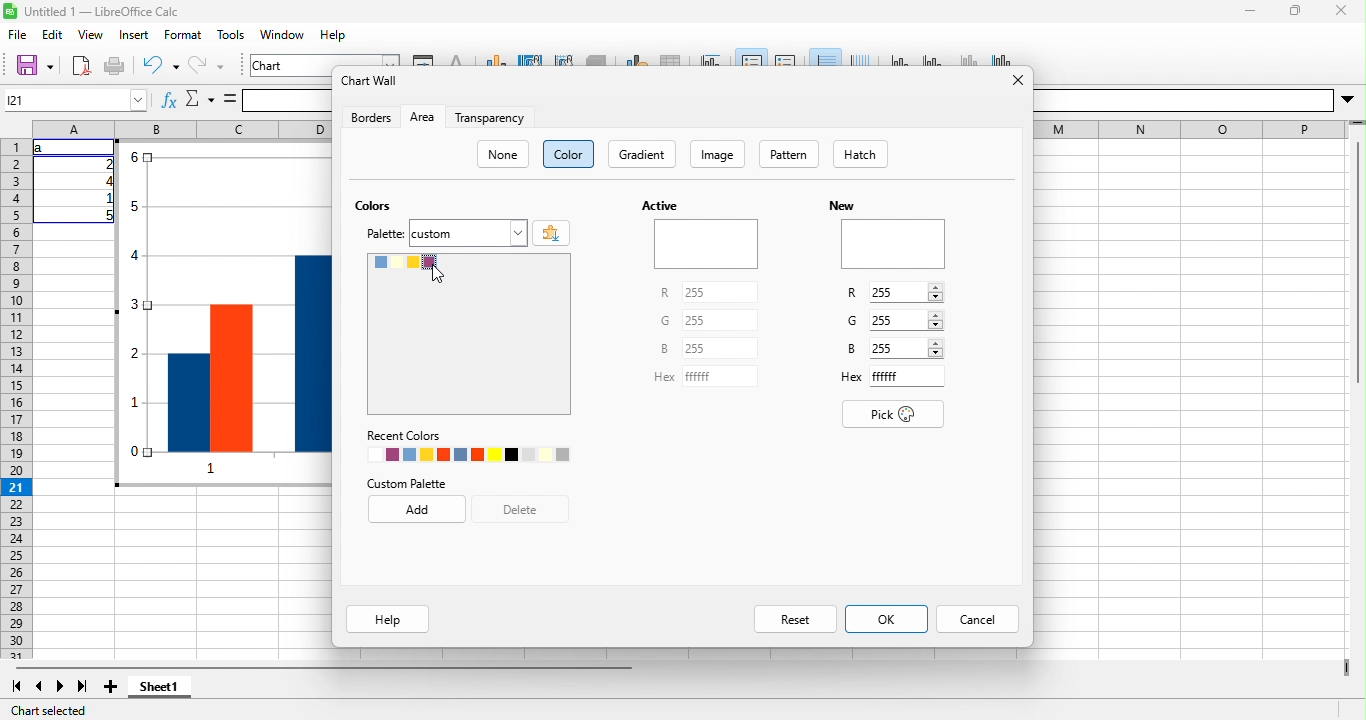  Describe the element at coordinates (423, 59) in the screenshot. I see `format selection` at that location.